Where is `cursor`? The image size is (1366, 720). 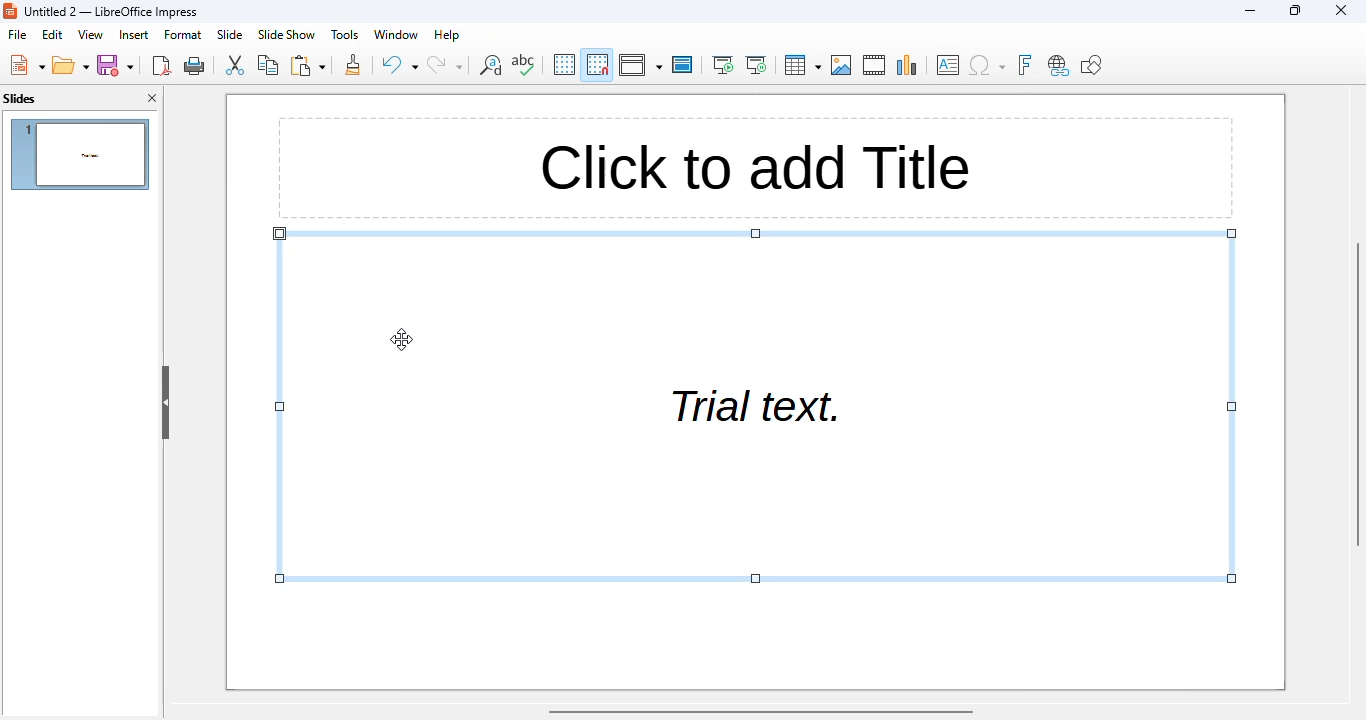 cursor is located at coordinates (402, 339).